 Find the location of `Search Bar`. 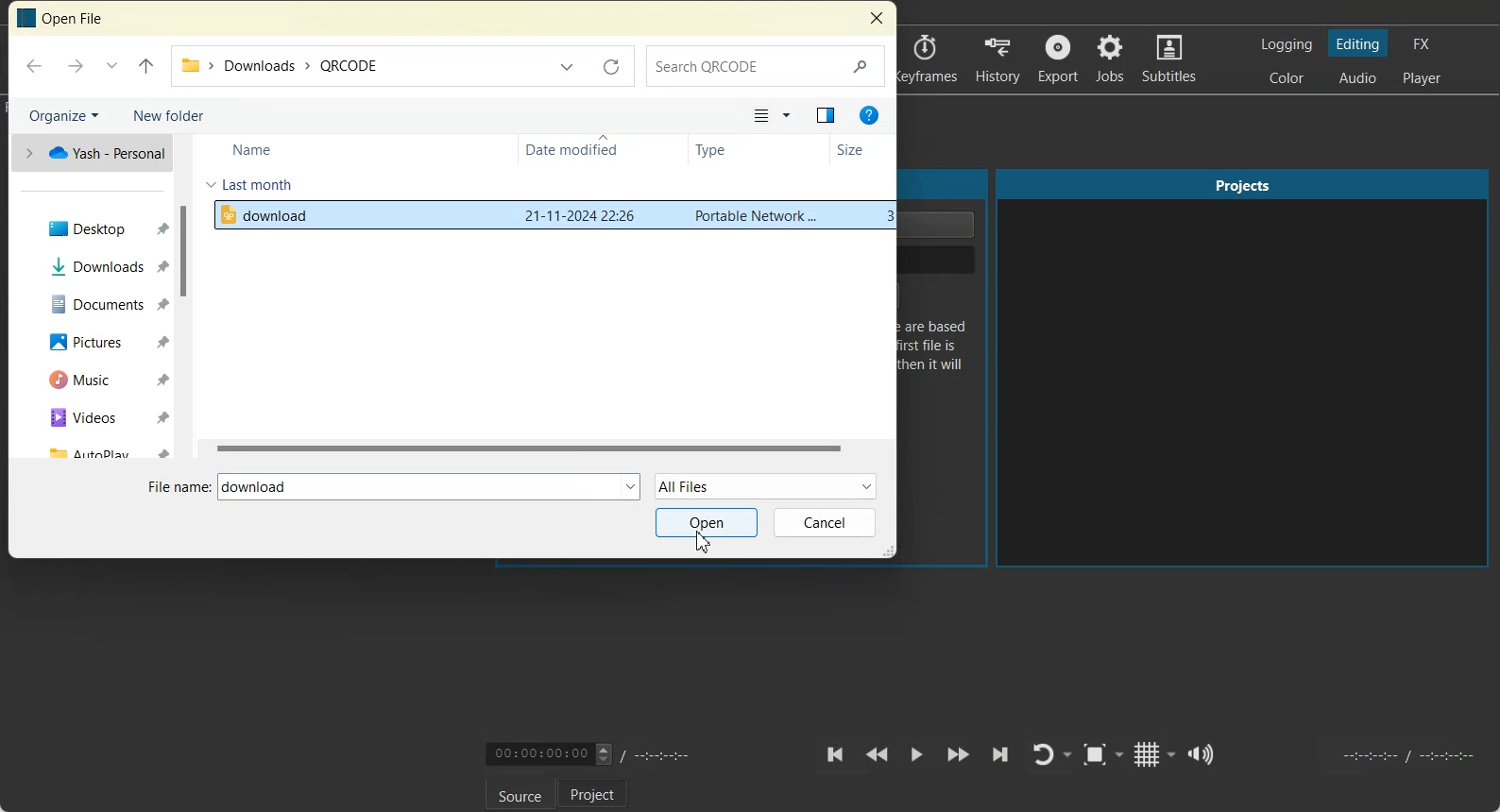

Search Bar is located at coordinates (766, 65).